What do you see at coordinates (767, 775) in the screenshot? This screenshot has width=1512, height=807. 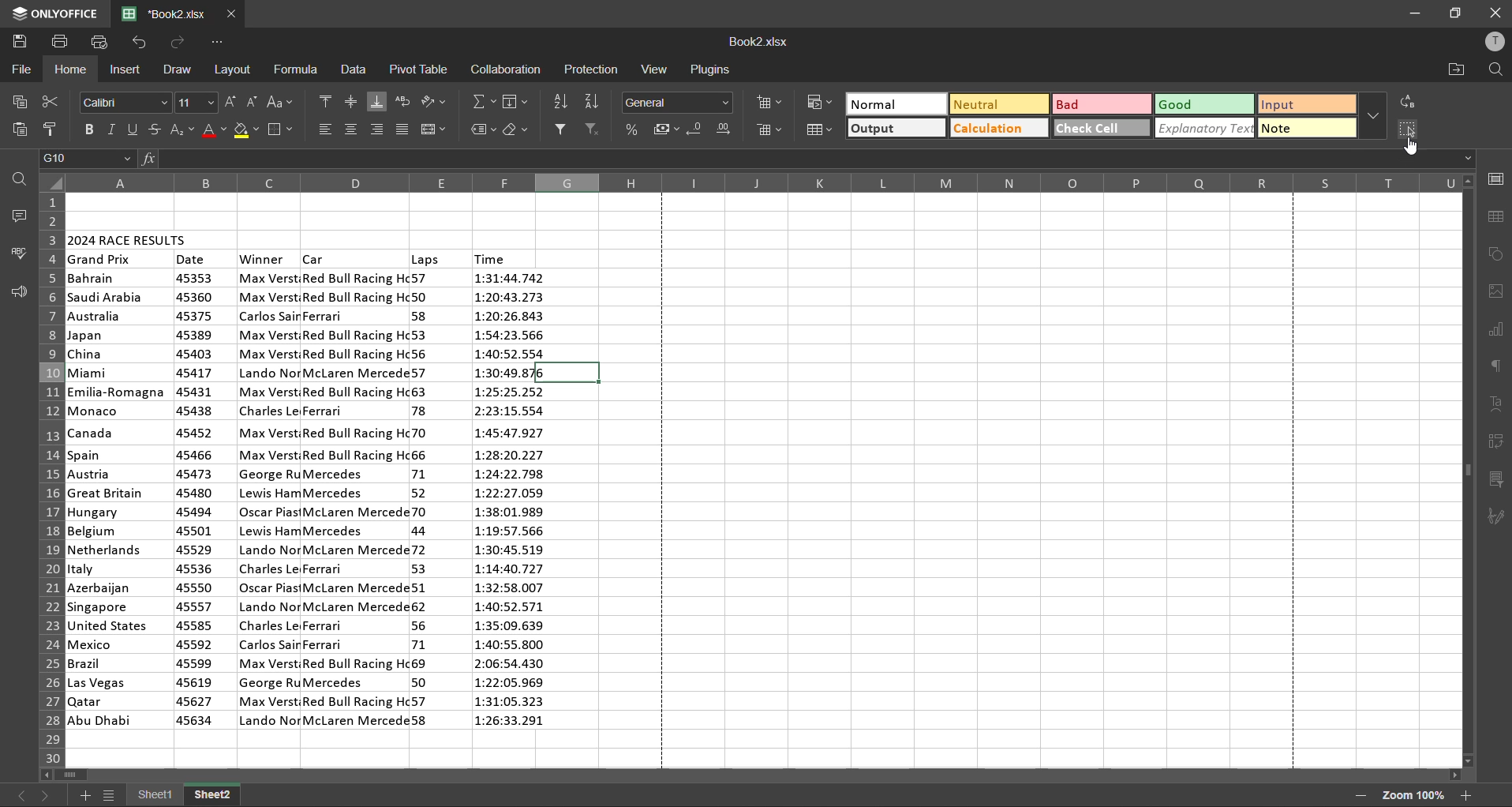 I see `scrollbar` at bounding box center [767, 775].